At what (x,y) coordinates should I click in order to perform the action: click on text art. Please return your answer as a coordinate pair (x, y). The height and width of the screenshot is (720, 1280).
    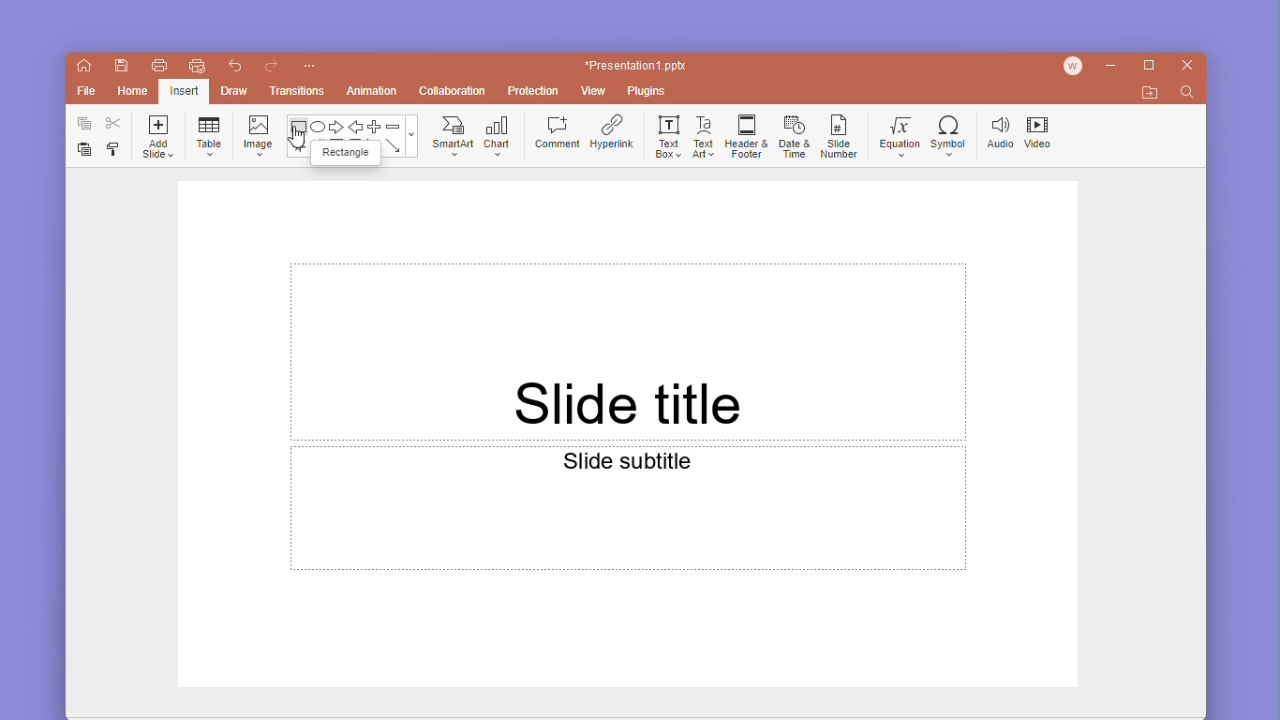
    Looking at the image, I should click on (704, 134).